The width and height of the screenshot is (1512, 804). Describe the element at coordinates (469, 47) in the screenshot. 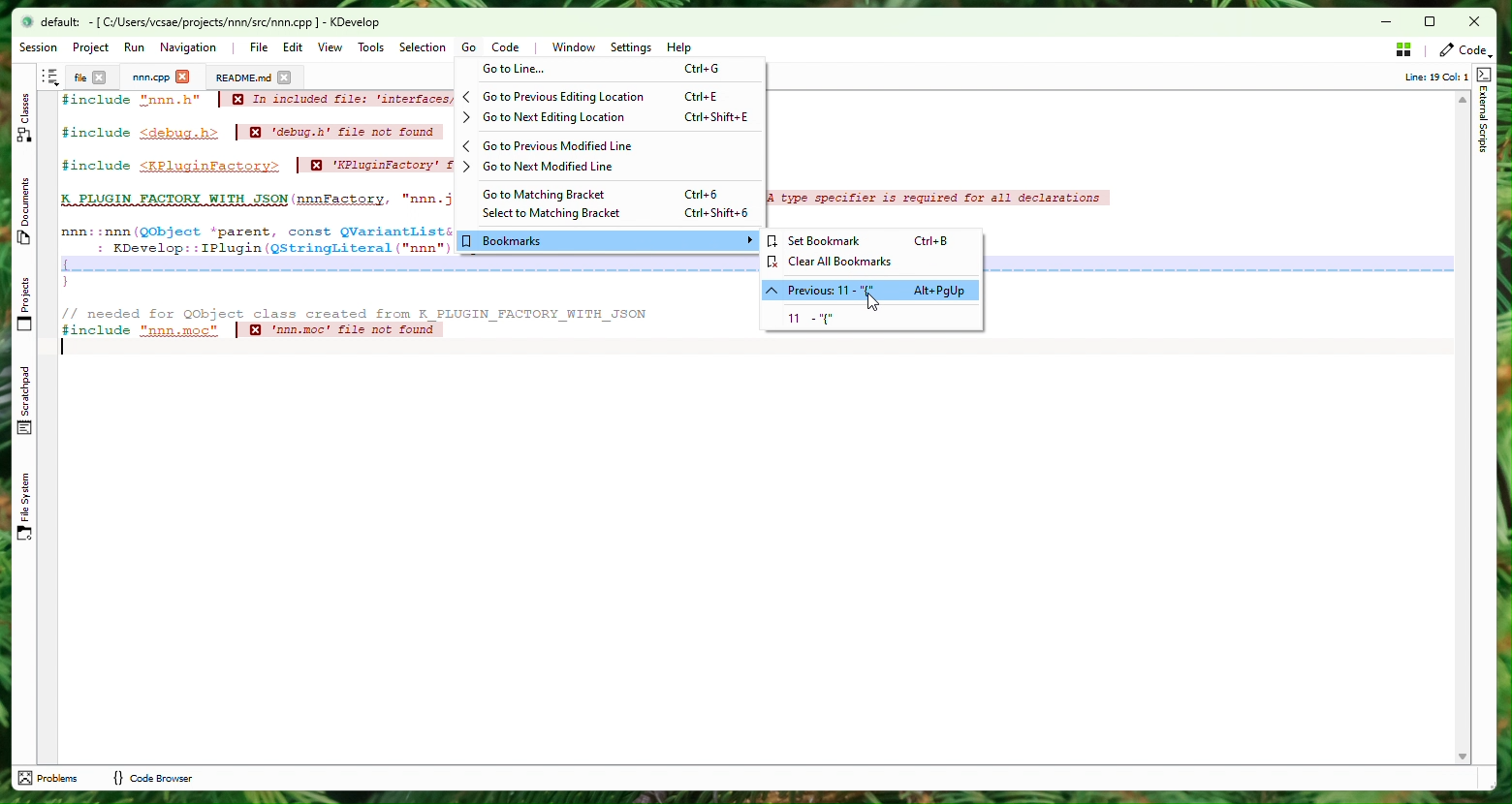

I see `Go` at that location.